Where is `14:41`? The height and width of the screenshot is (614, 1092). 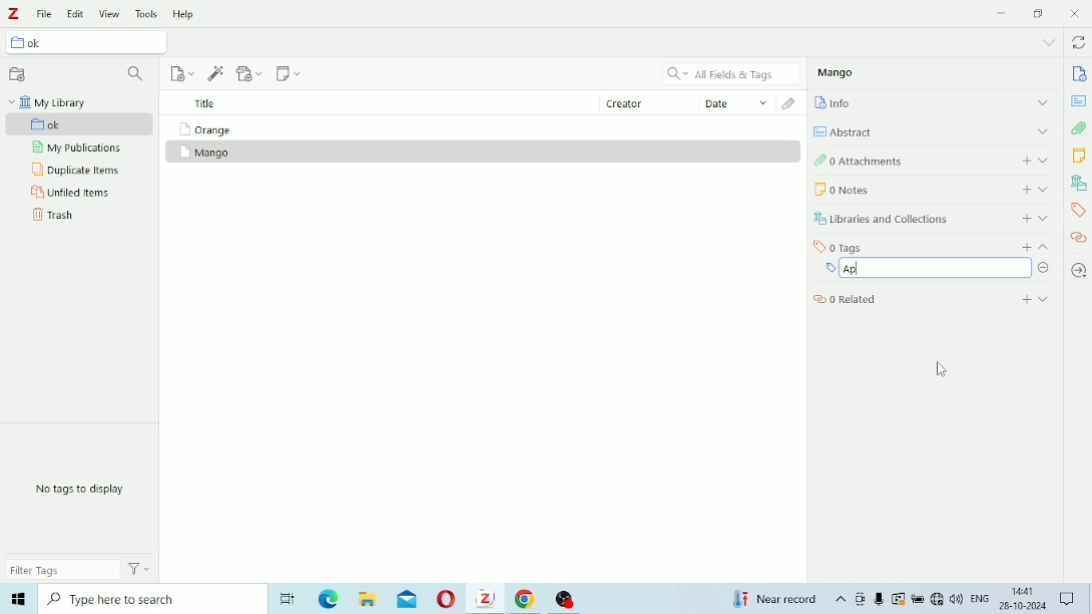 14:41 is located at coordinates (1024, 591).